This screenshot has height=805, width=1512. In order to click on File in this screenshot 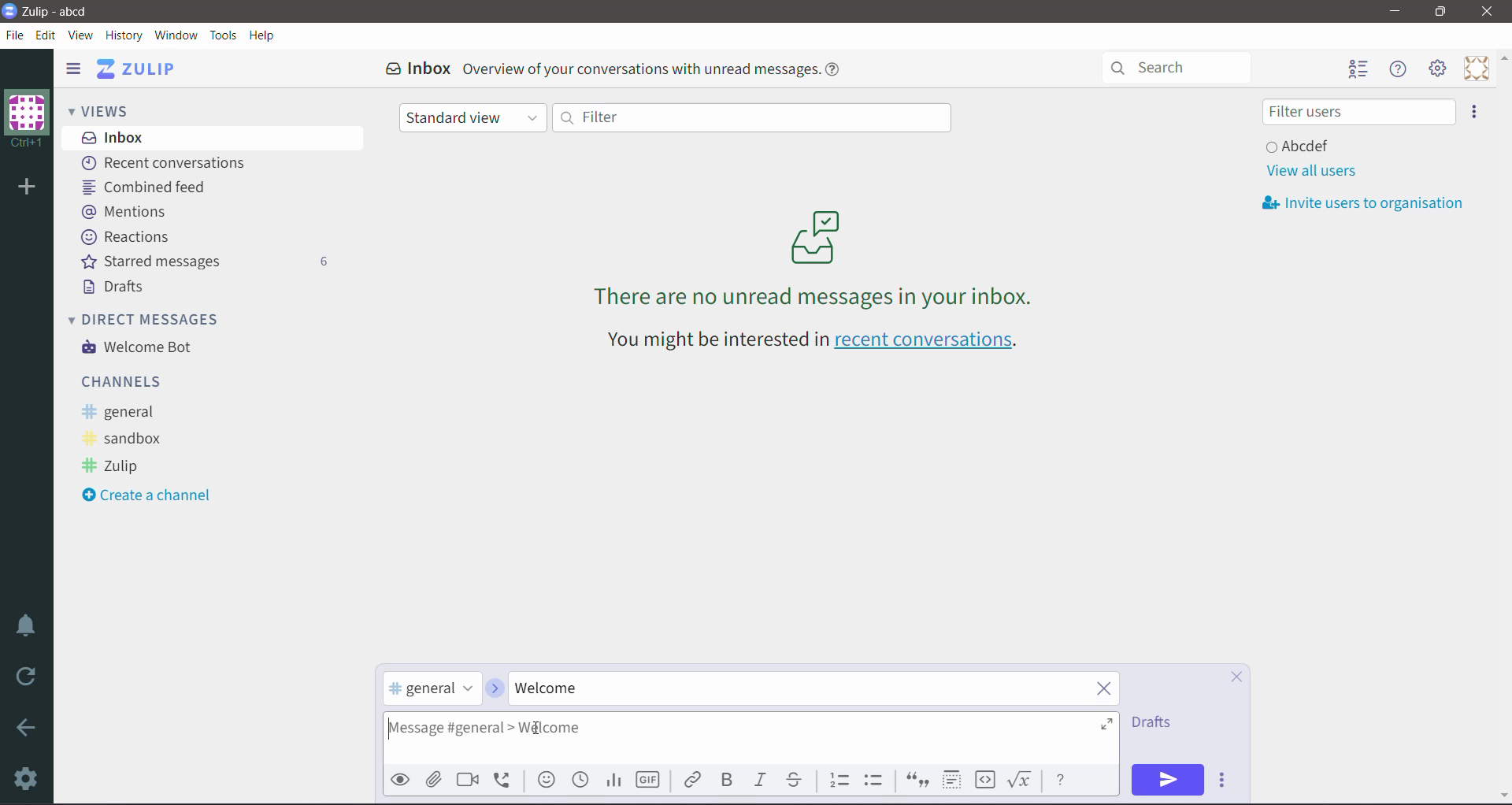, I will do `click(15, 35)`.